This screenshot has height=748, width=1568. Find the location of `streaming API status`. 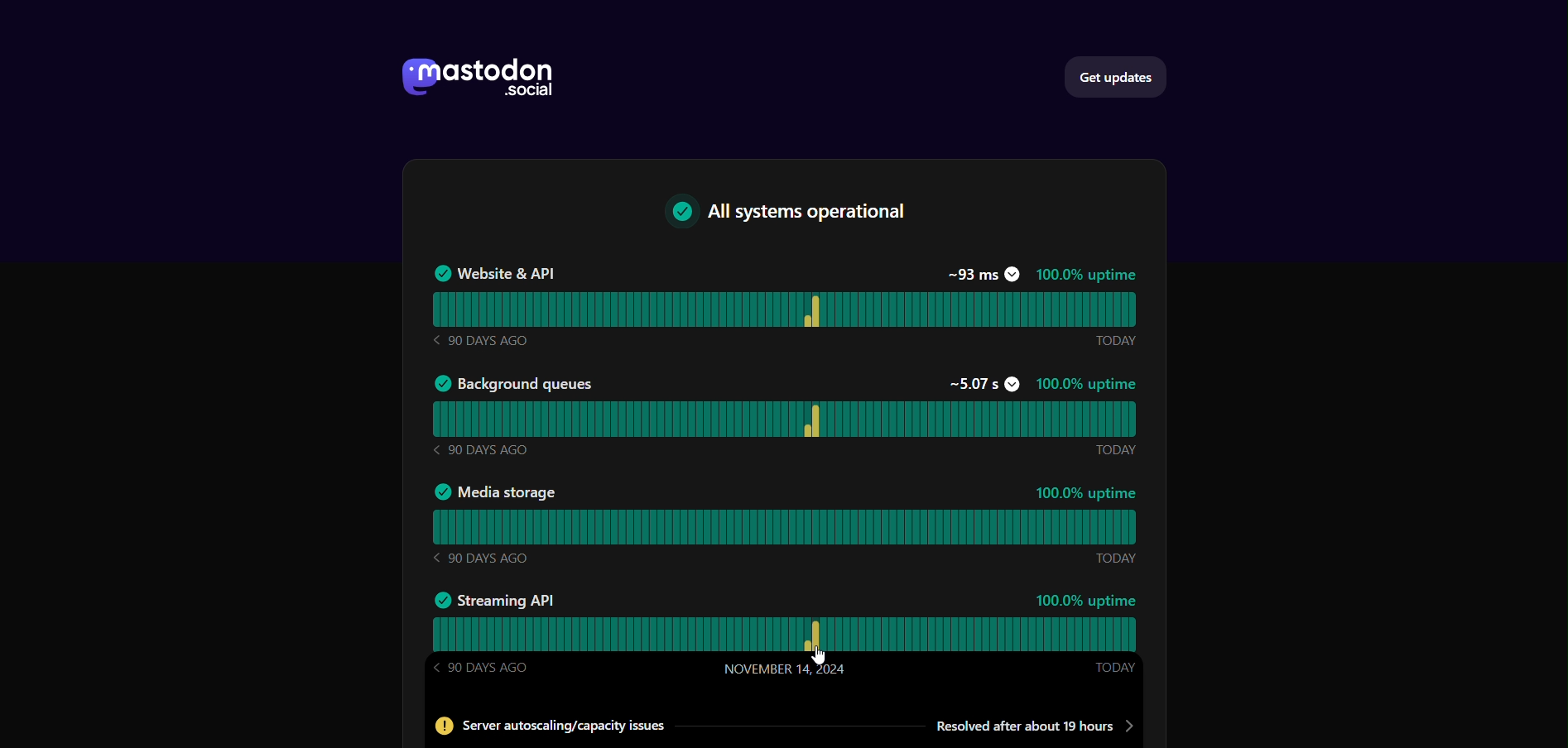

streaming API status is located at coordinates (786, 635).